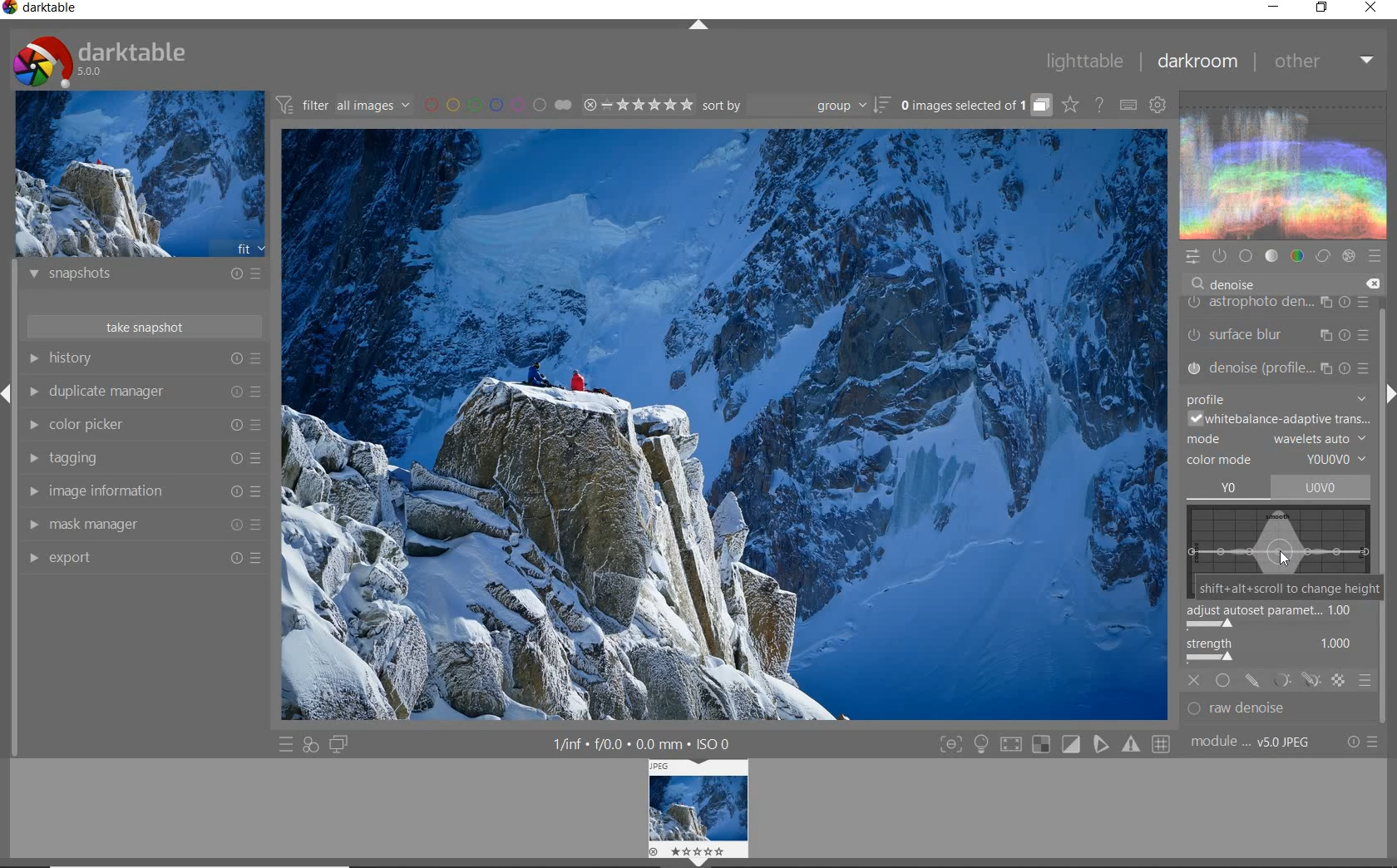  I want to click on quick access panel, so click(1191, 257).